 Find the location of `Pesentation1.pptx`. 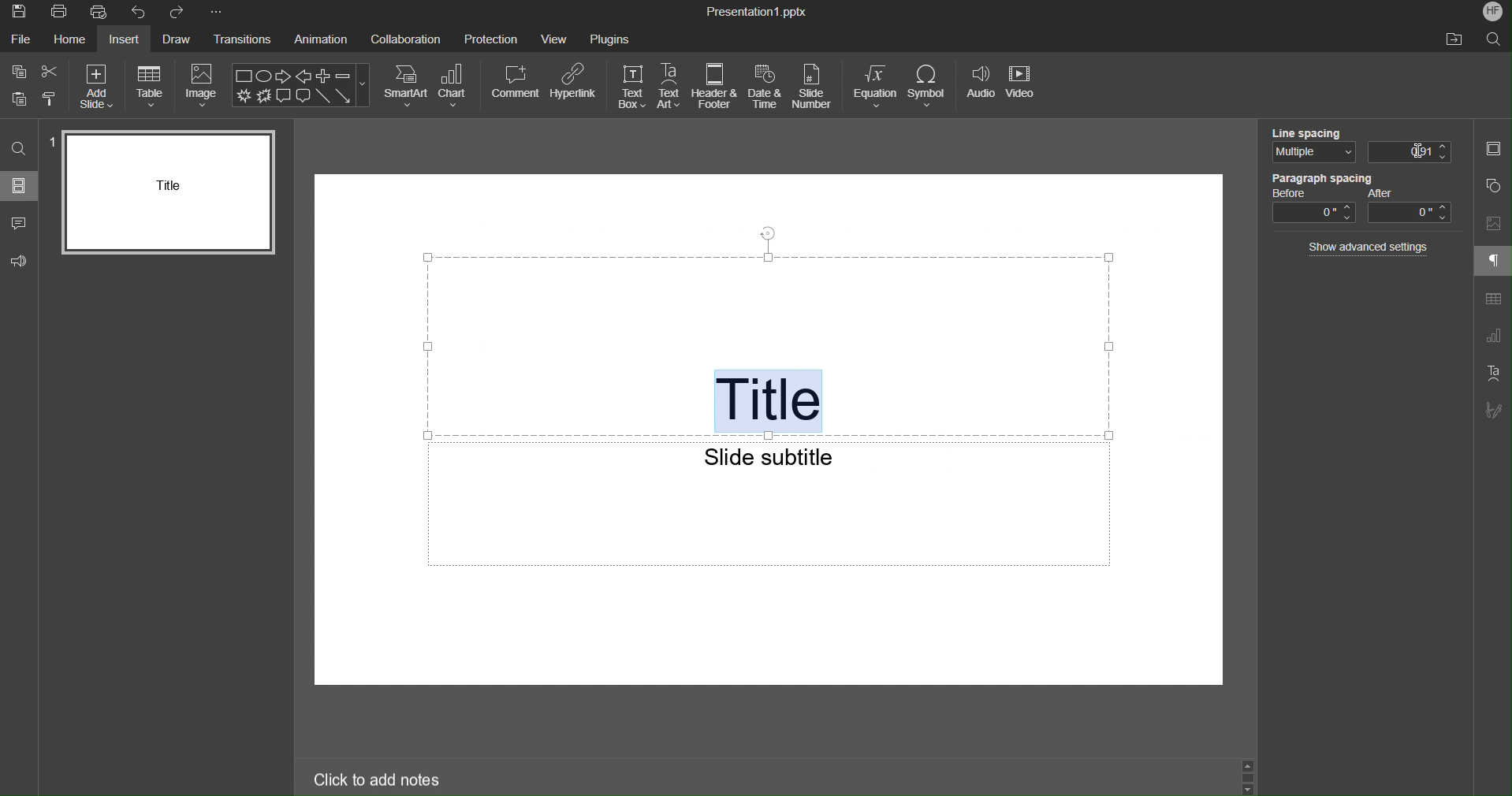

Pesentation1.pptx is located at coordinates (757, 13).